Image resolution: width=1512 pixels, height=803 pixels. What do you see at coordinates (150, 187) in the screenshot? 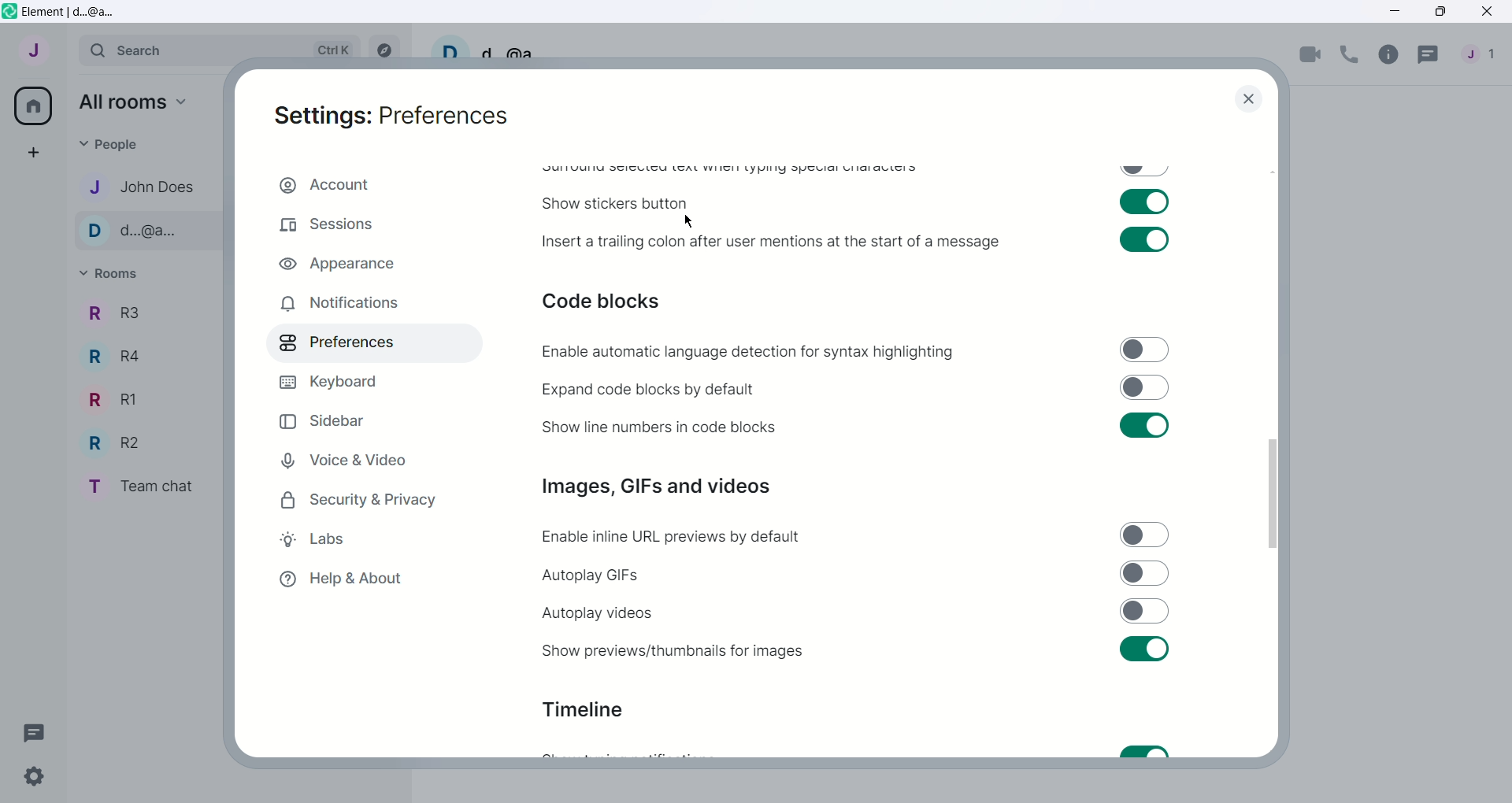
I see `John Does - Contact name` at bounding box center [150, 187].